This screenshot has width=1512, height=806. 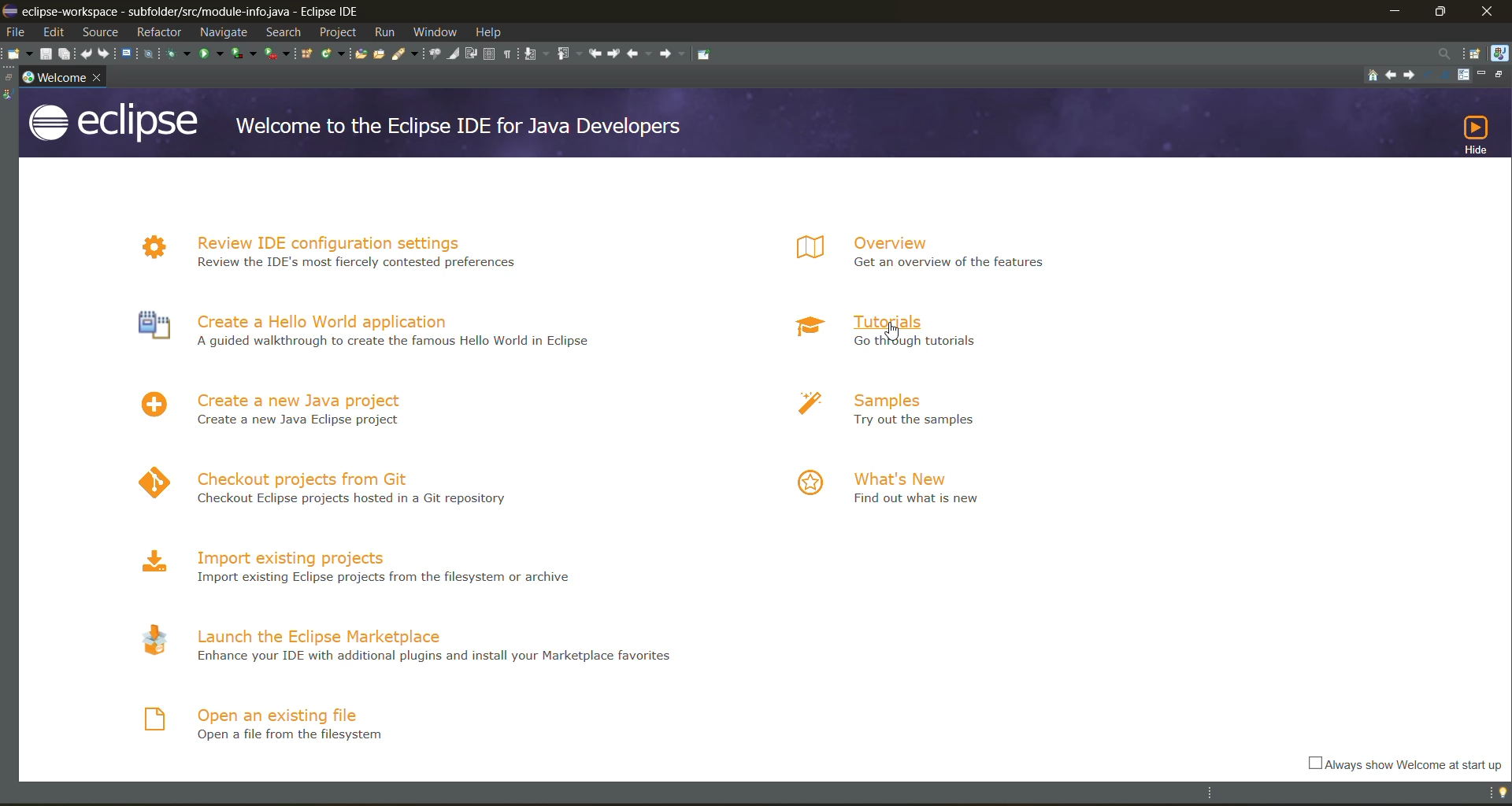 I want to click on magnify, so click(x=1447, y=76).